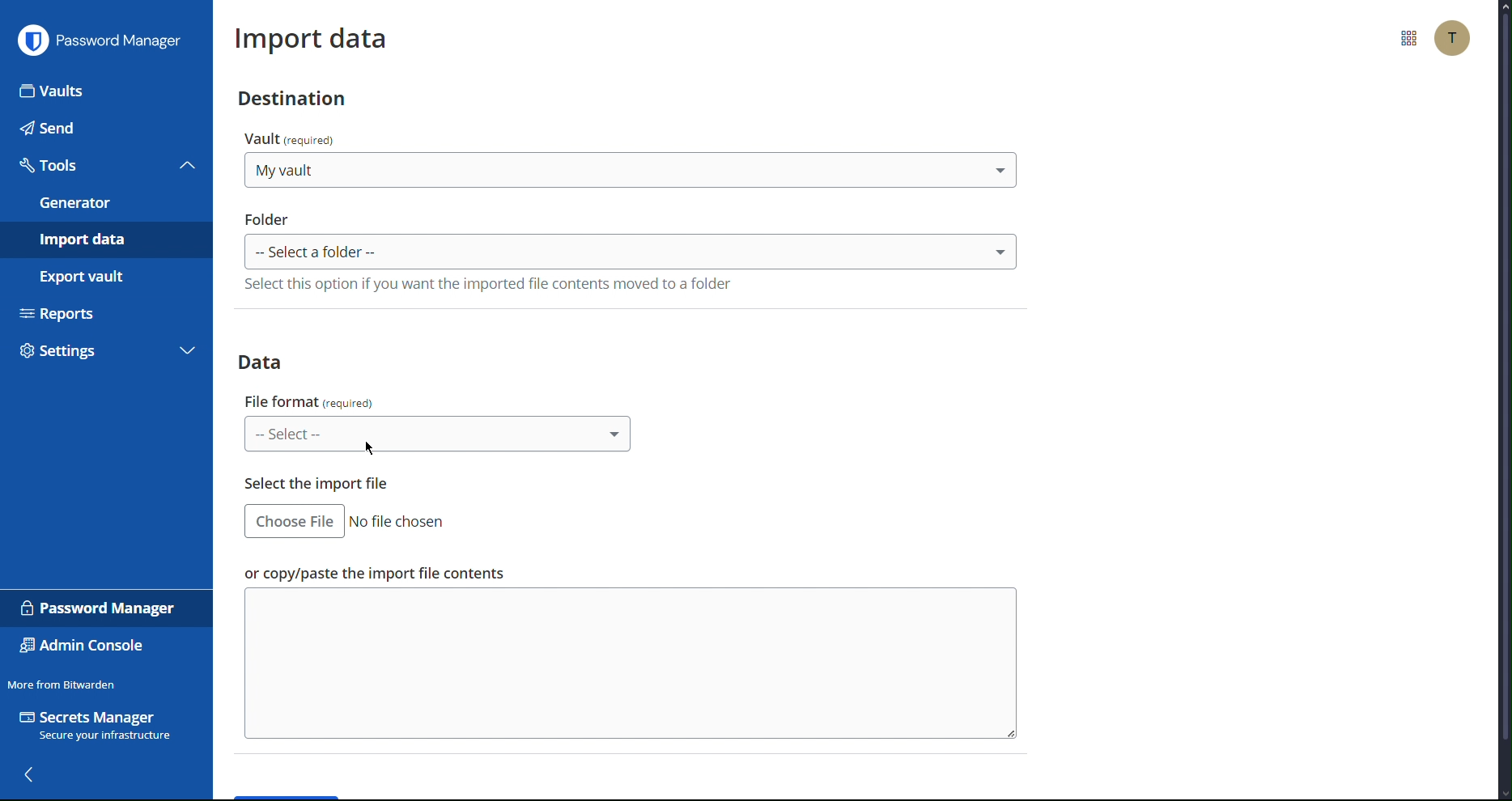  What do you see at coordinates (1502, 795) in the screenshot?
I see `scroll down` at bounding box center [1502, 795].